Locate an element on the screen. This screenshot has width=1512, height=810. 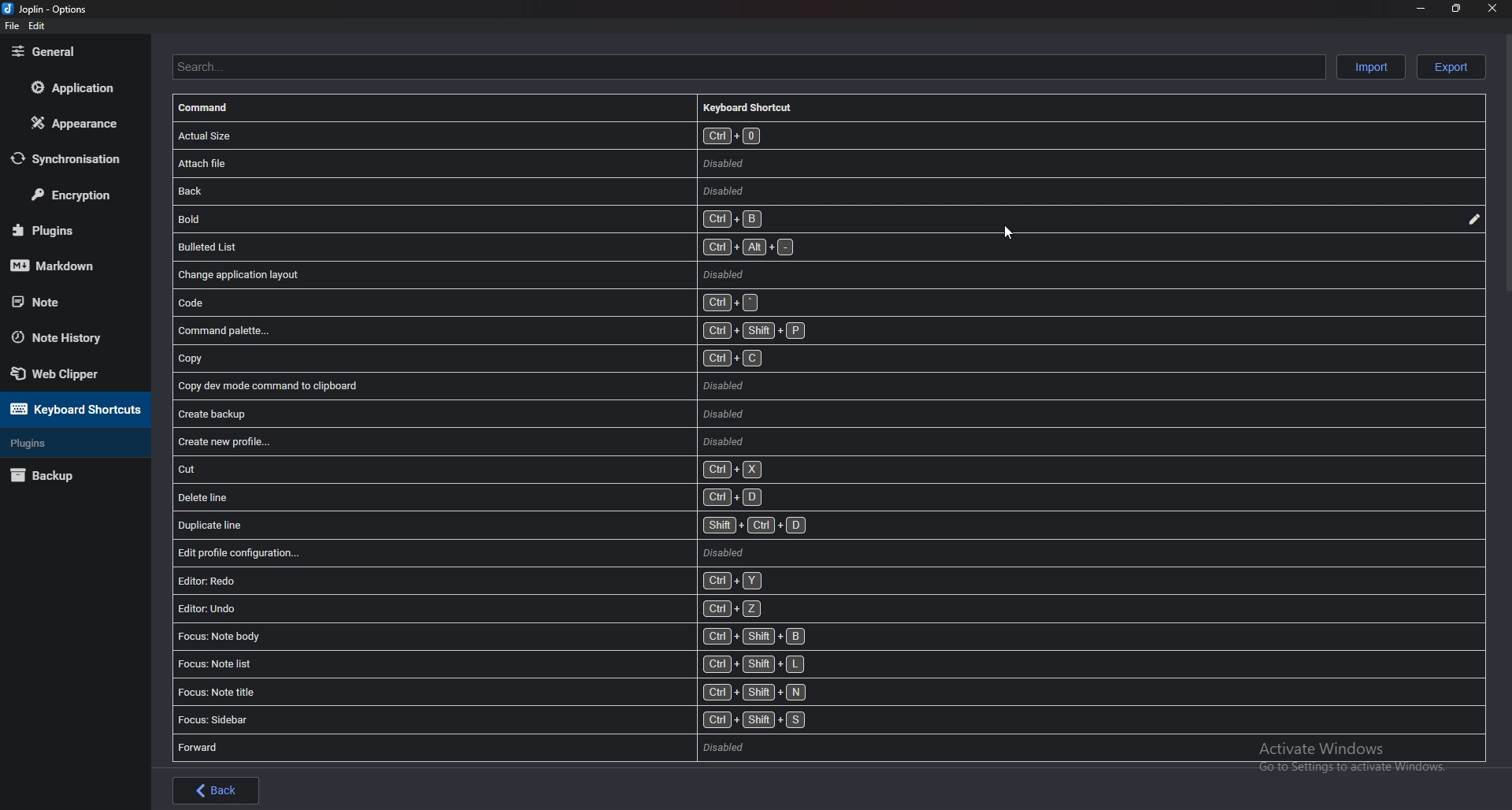
Plugins is located at coordinates (69, 444).